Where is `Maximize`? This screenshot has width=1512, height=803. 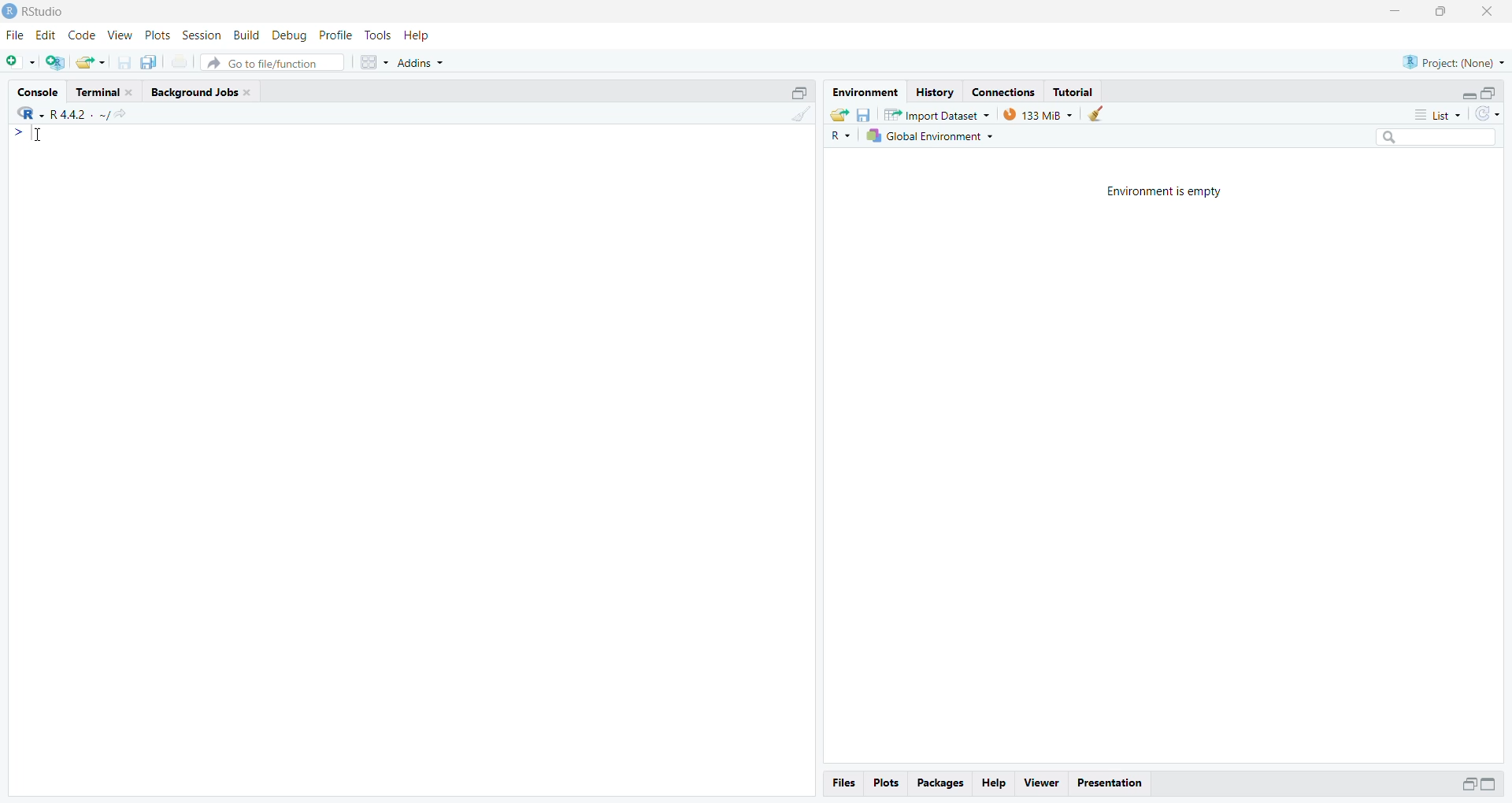
Maximize is located at coordinates (1488, 785).